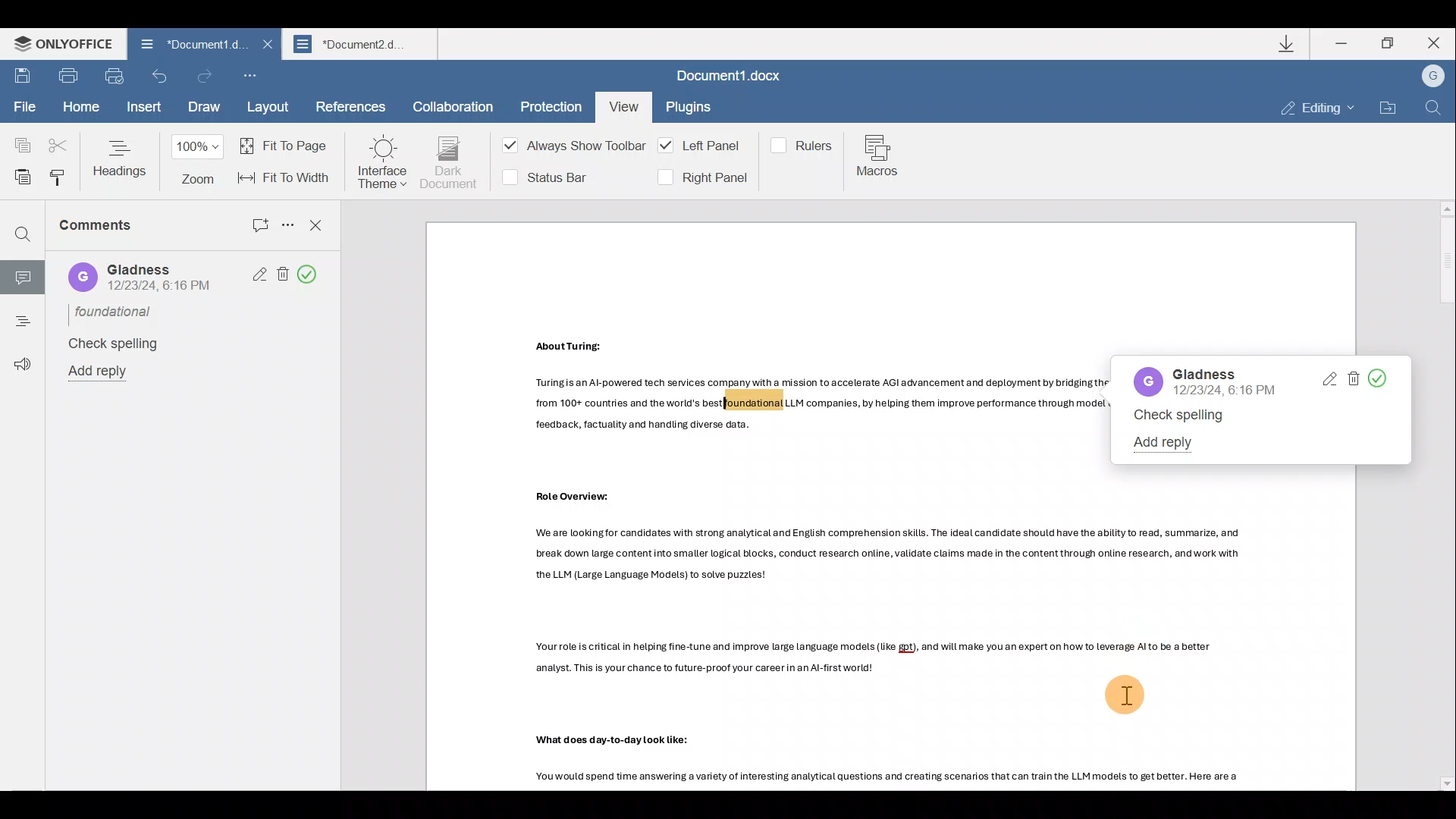  I want to click on Macros, so click(881, 158).